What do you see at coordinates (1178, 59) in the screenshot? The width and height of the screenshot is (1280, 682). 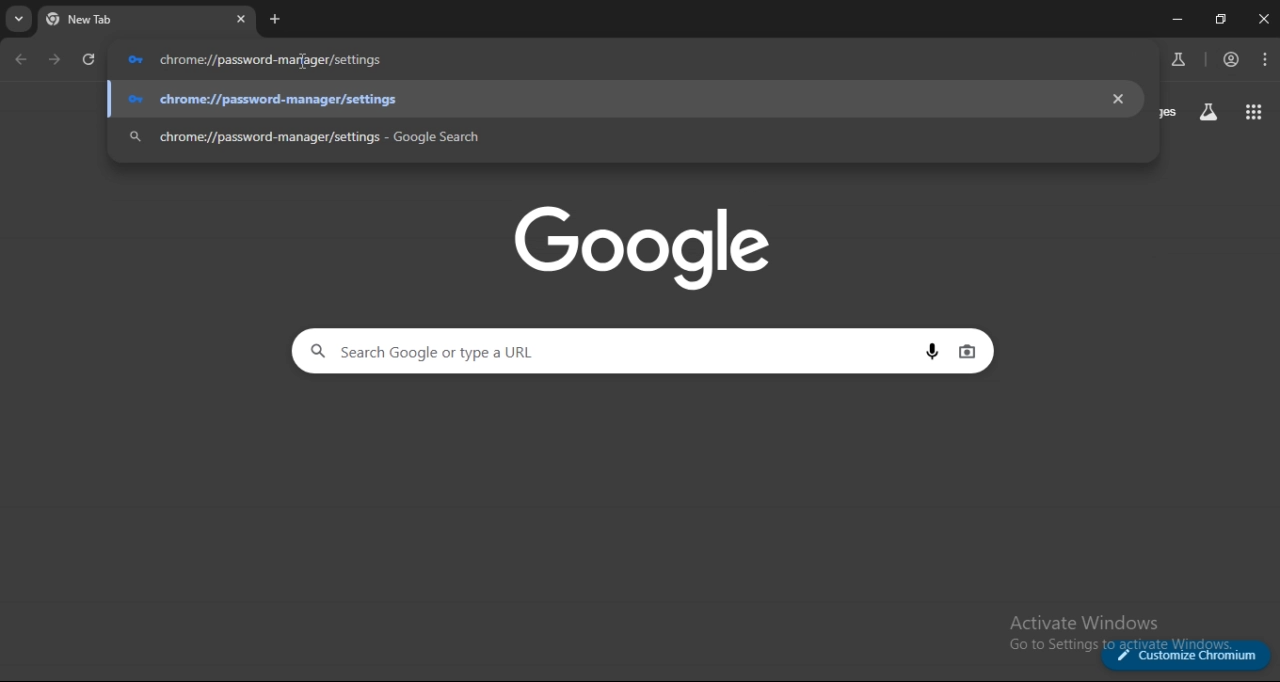 I see `search labs` at bounding box center [1178, 59].